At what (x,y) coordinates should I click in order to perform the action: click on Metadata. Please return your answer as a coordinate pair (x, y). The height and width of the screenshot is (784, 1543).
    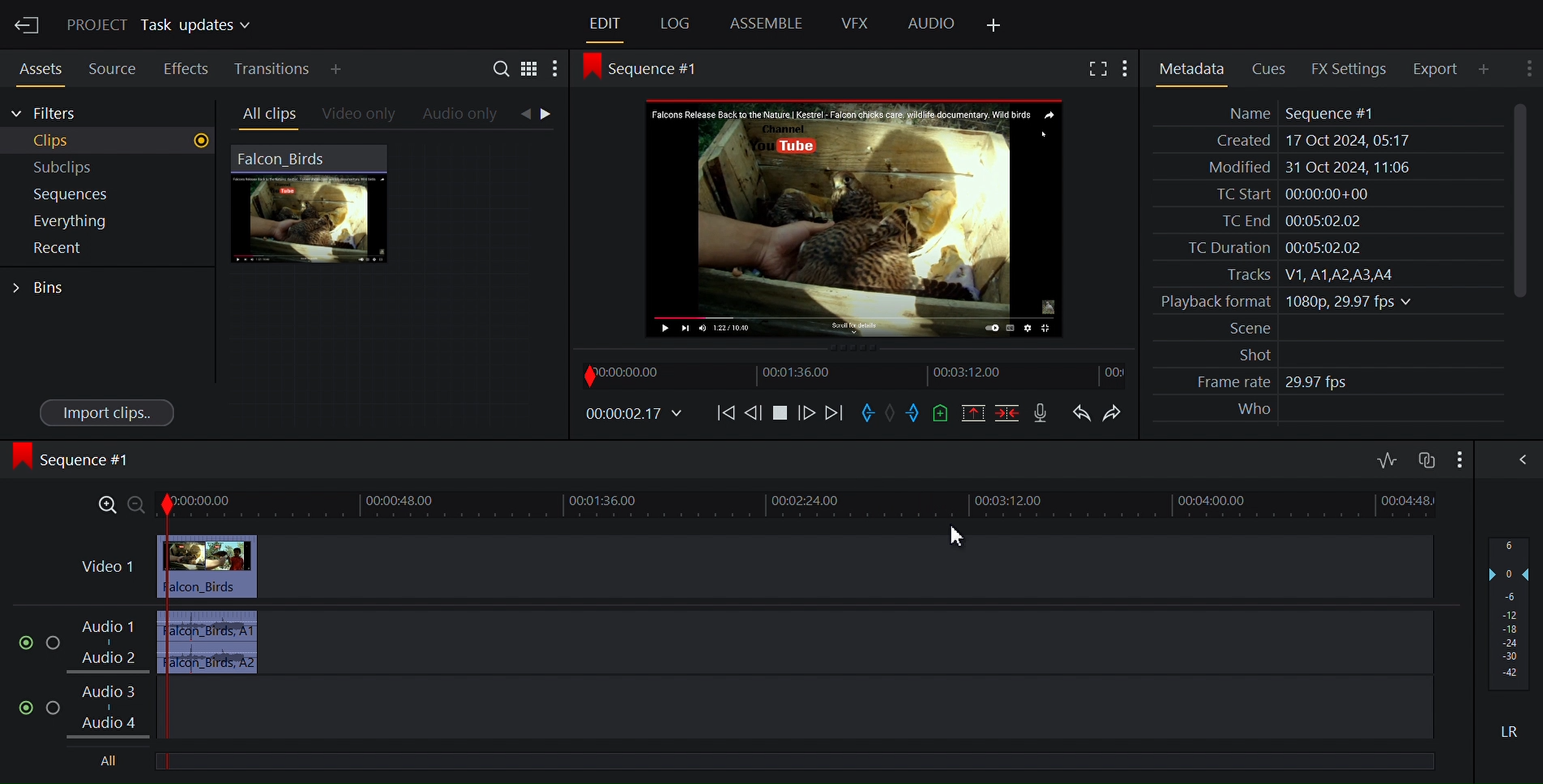
    Looking at the image, I should click on (1191, 66).